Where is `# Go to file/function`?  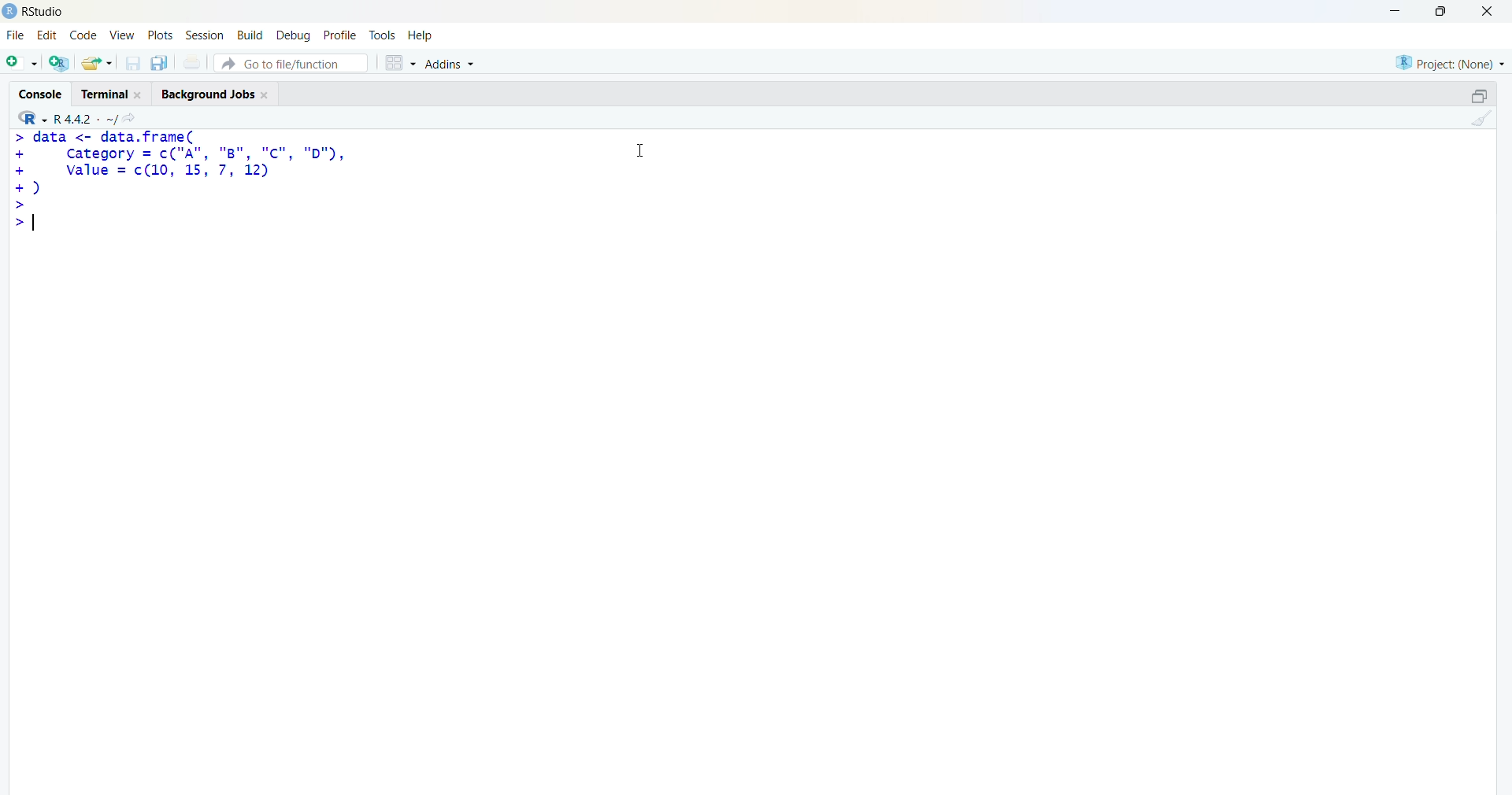 # Go to file/function is located at coordinates (291, 63).